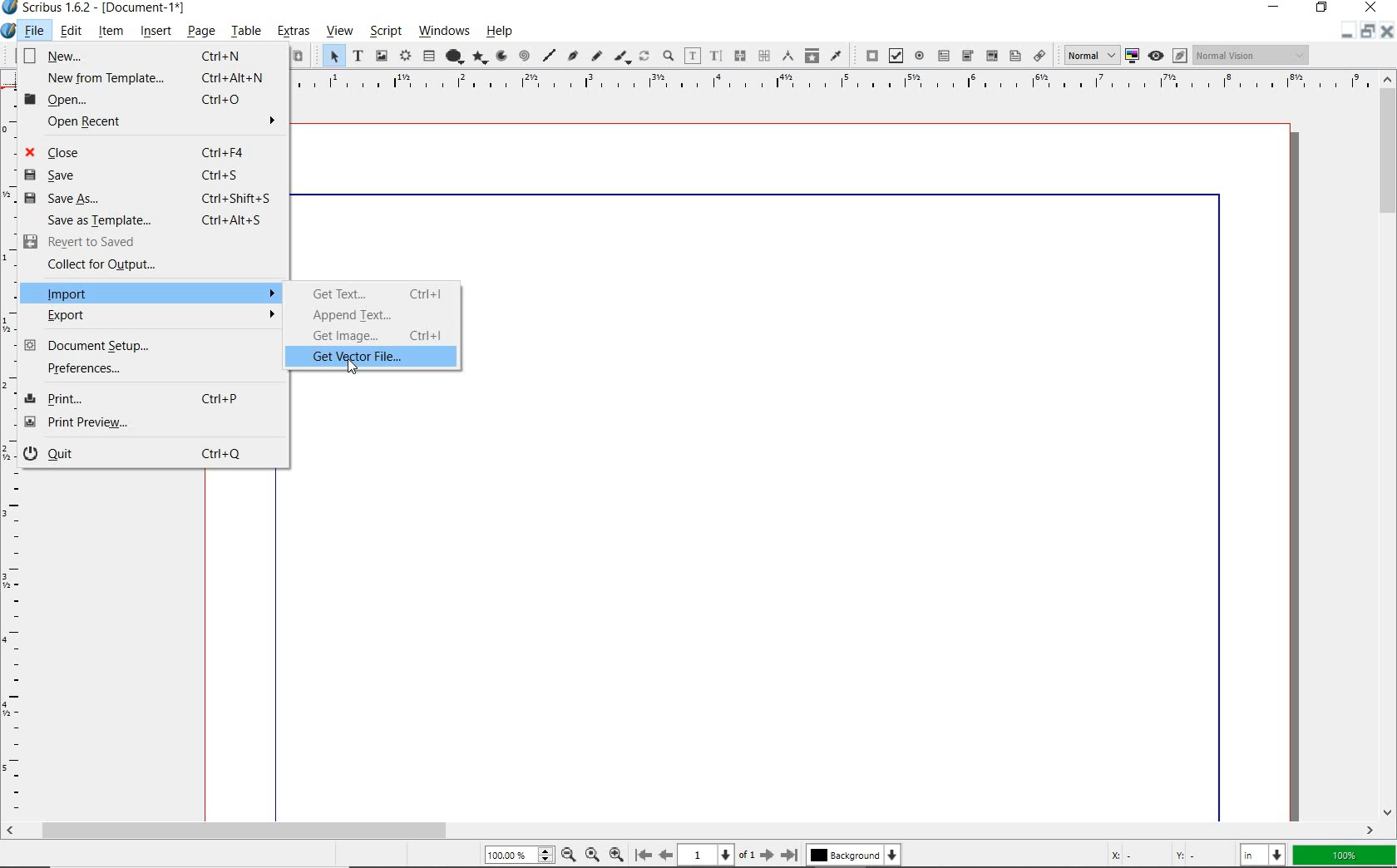 The height and width of the screenshot is (868, 1397). I want to click on New from Template... Ctrl+Alt+N, so click(151, 76).